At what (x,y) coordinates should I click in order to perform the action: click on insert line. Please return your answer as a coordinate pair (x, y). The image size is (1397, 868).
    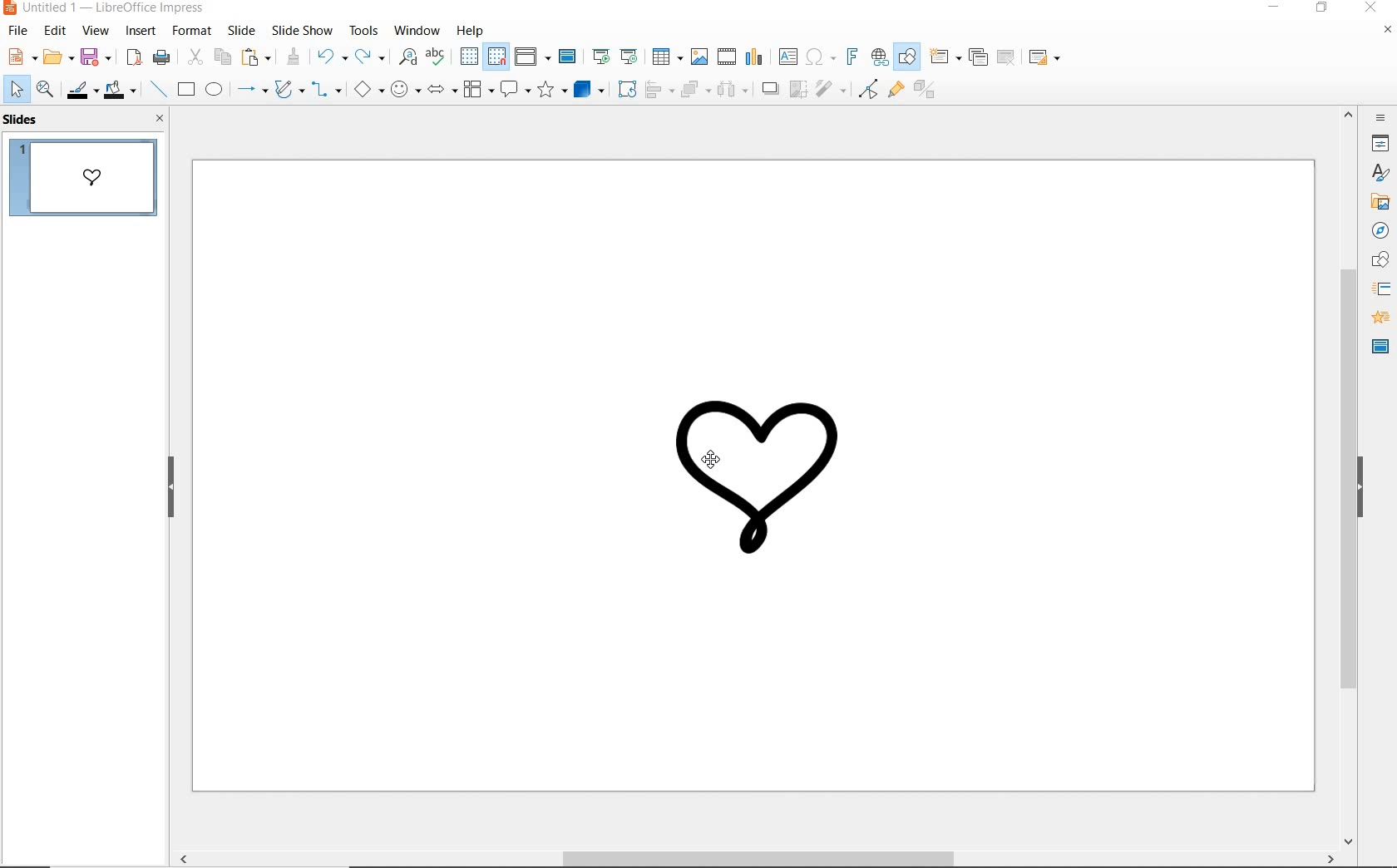
    Looking at the image, I should click on (157, 90).